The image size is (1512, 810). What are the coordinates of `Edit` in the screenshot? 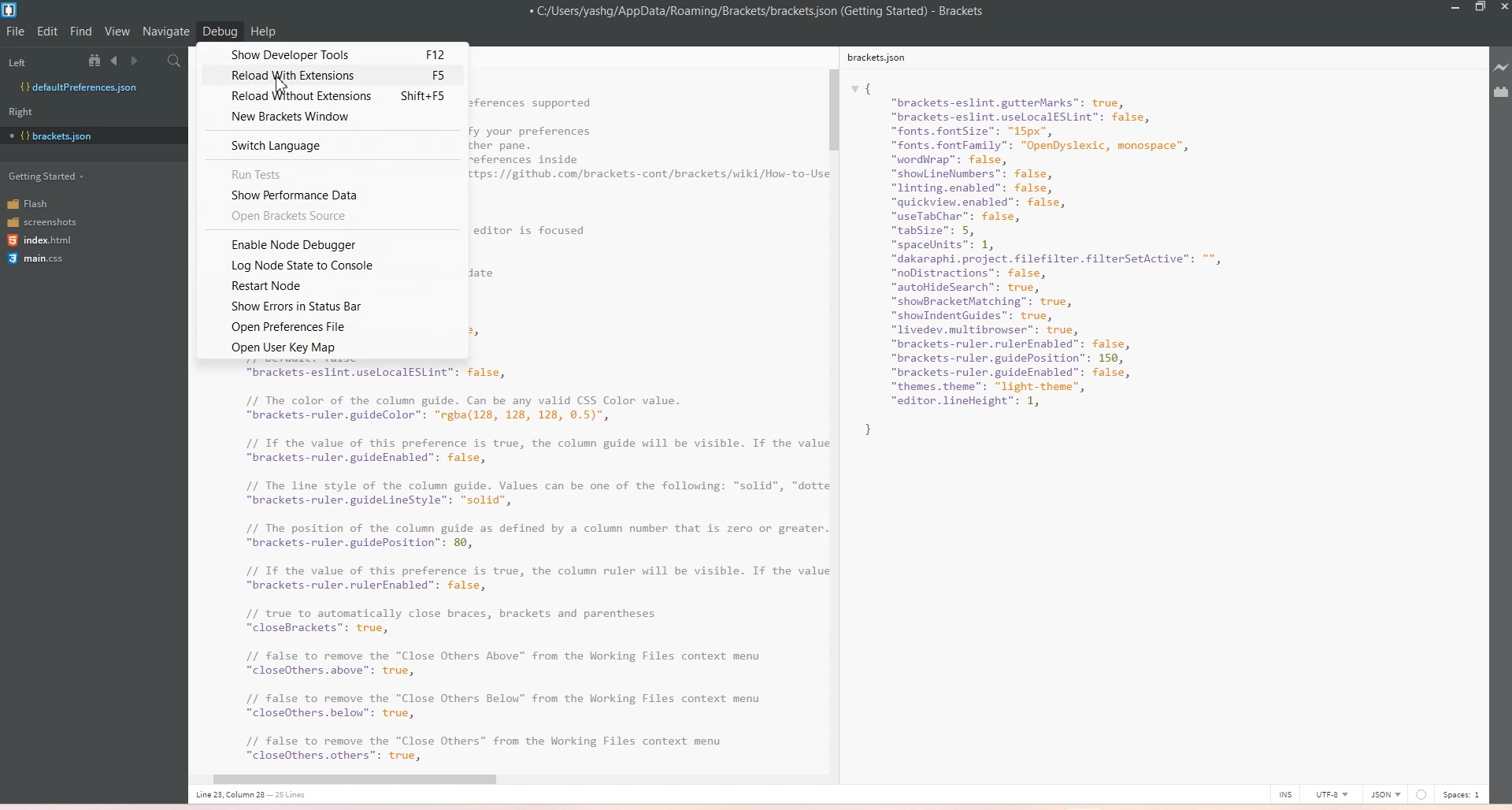 It's located at (49, 32).